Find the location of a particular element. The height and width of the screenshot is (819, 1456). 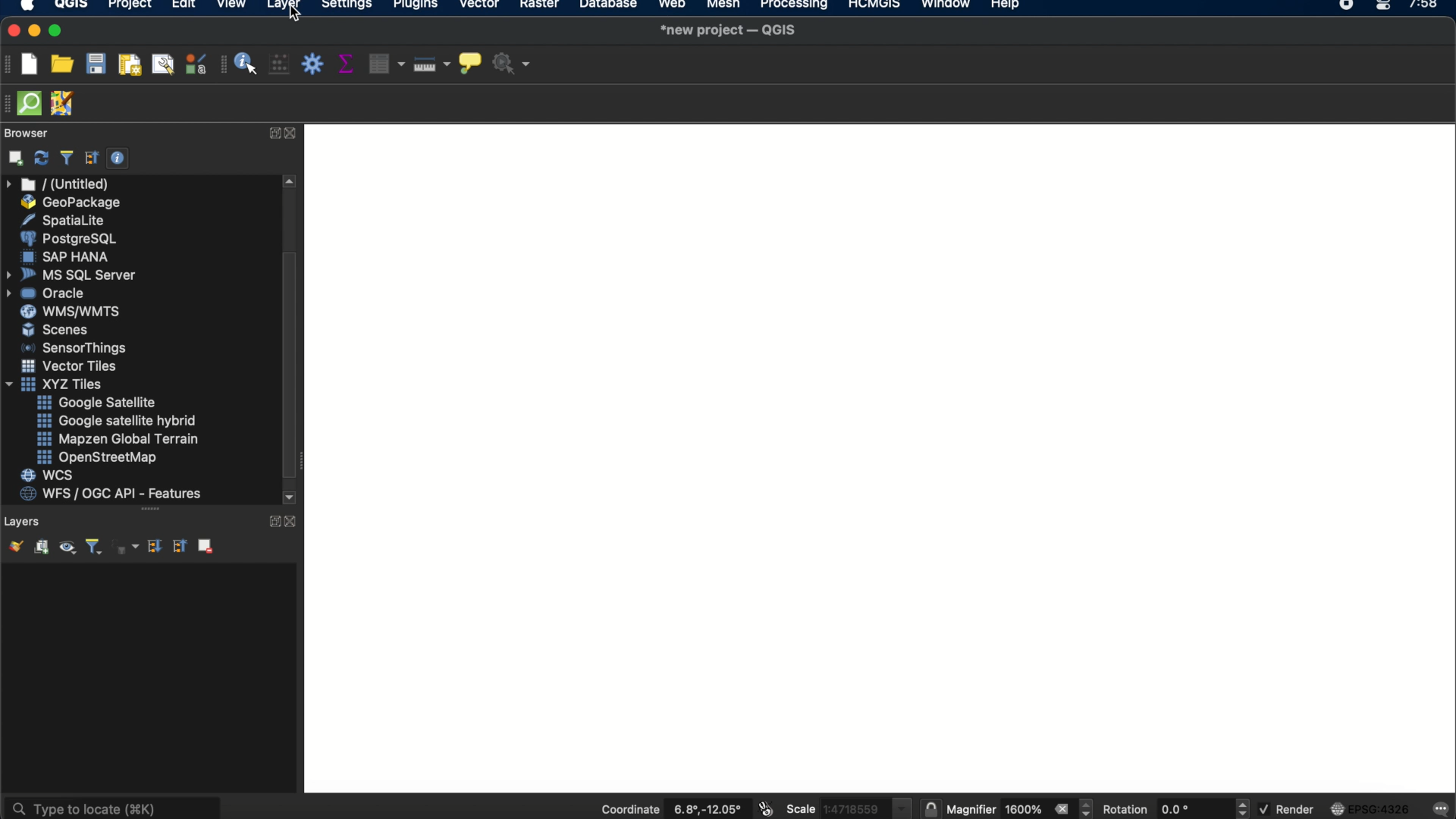

no action selected is located at coordinates (510, 62).